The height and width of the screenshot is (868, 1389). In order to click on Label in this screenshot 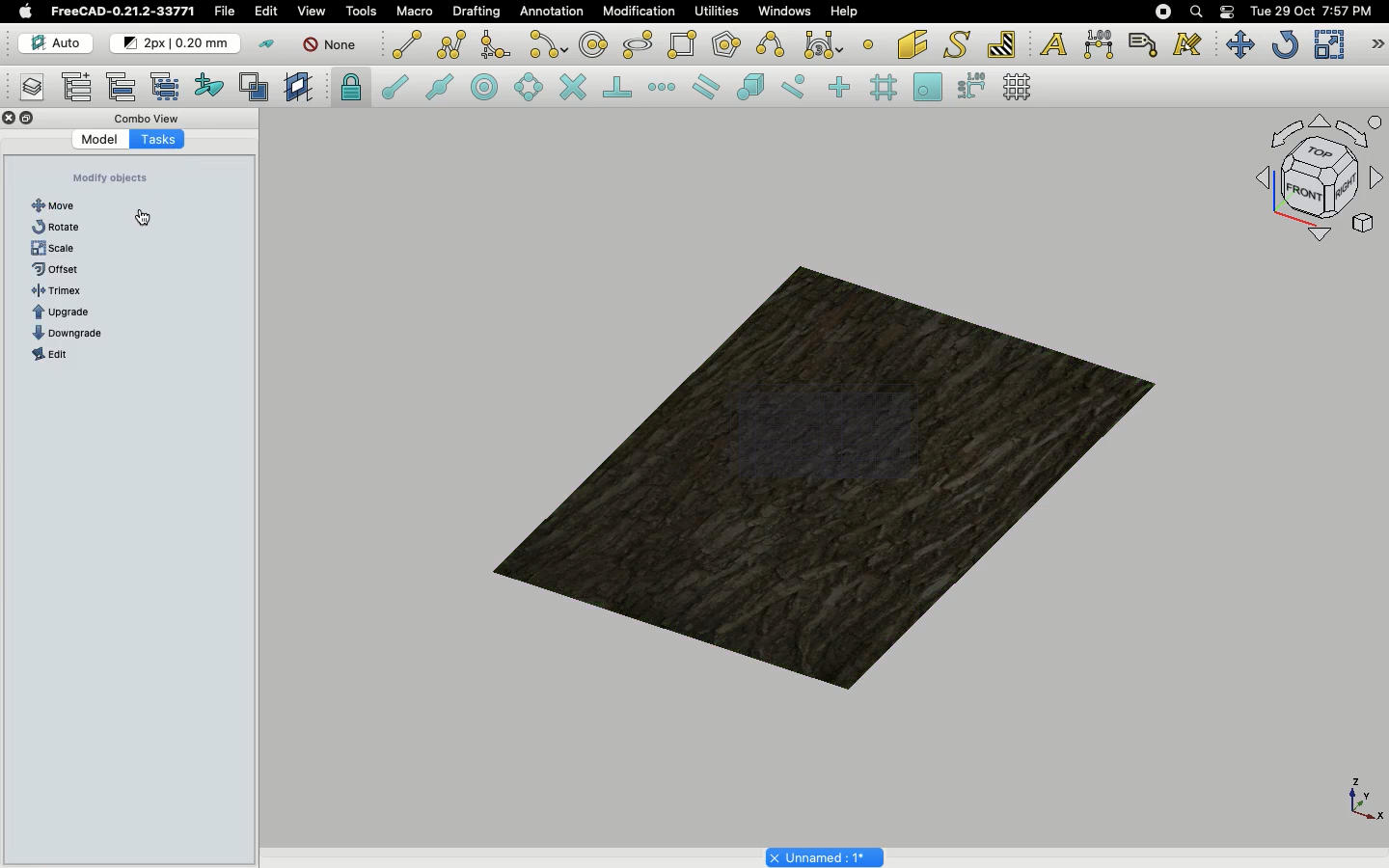, I will do `click(1146, 44)`.